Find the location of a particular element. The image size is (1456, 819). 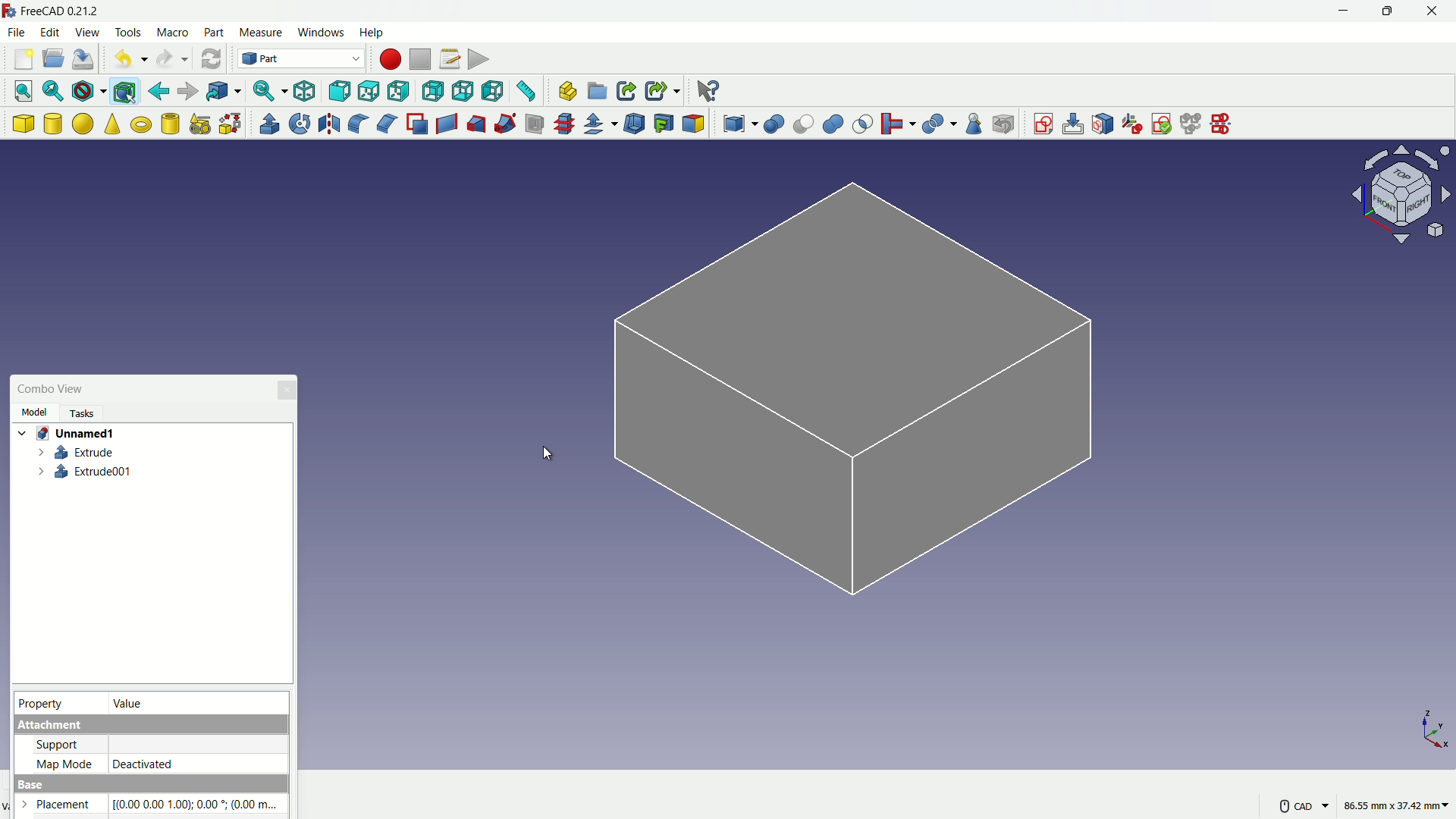

property is located at coordinates (42, 702).